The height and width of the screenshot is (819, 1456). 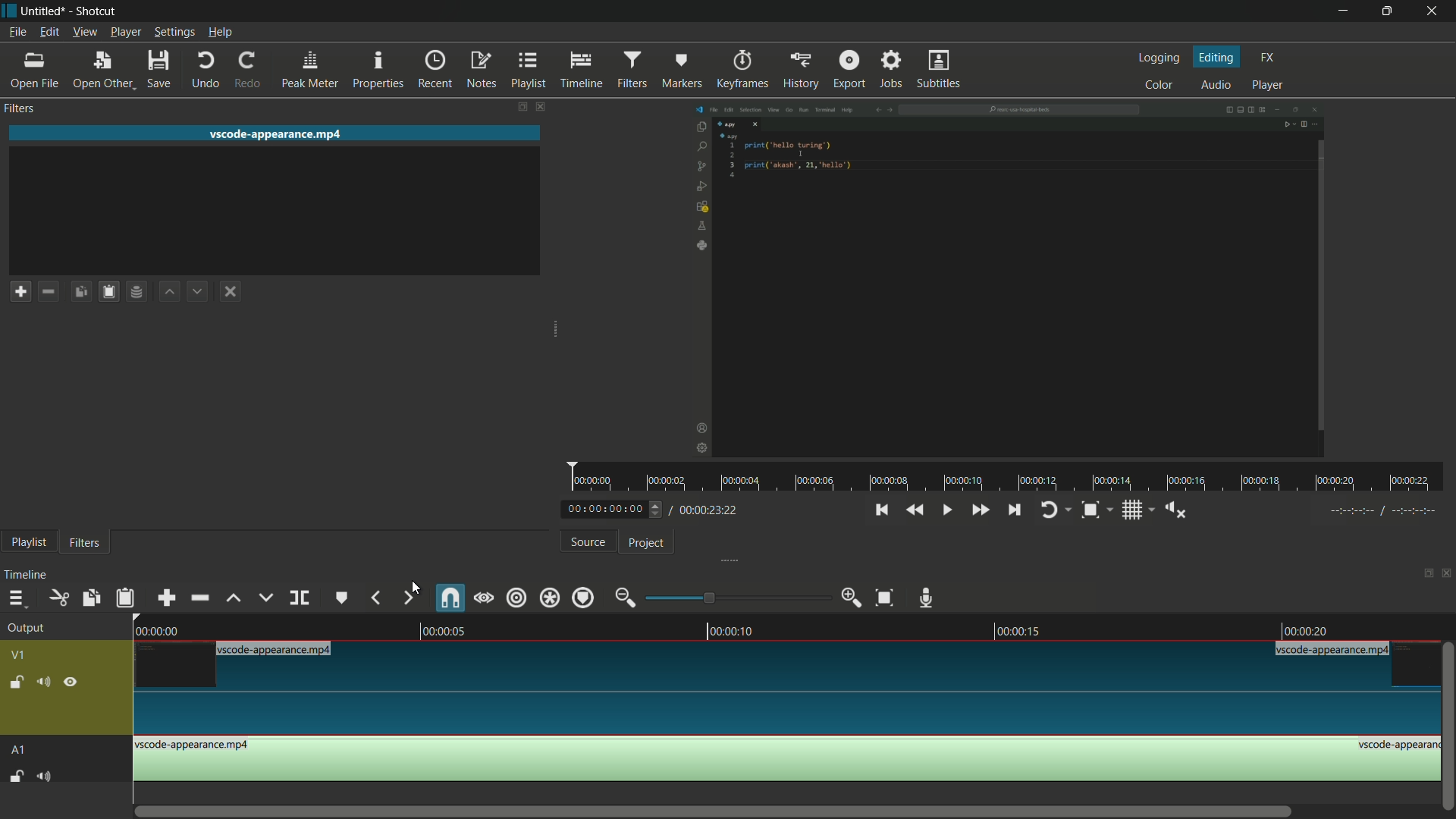 What do you see at coordinates (49, 290) in the screenshot?
I see `remove a filter` at bounding box center [49, 290].